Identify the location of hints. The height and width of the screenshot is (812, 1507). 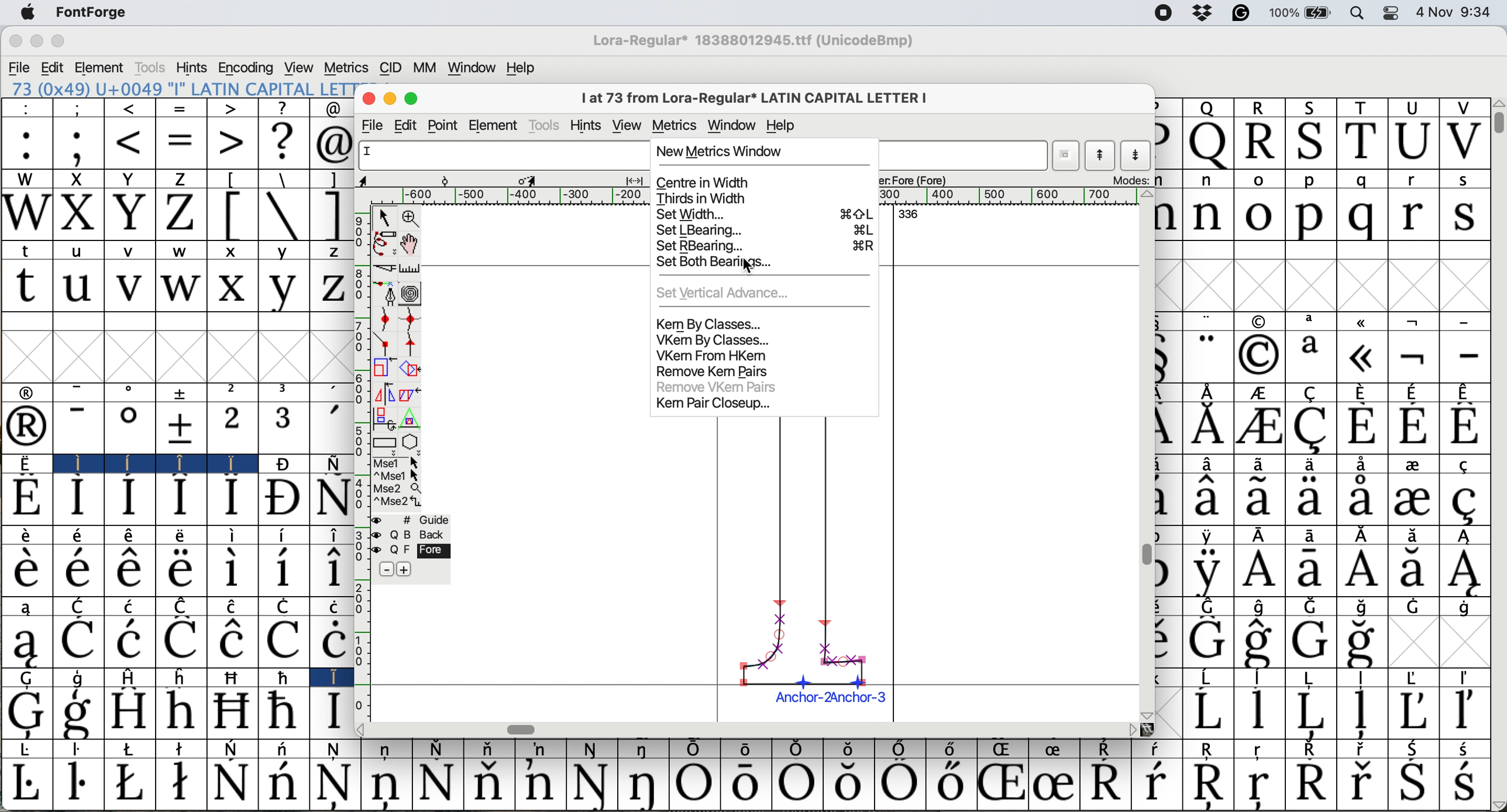
(193, 68).